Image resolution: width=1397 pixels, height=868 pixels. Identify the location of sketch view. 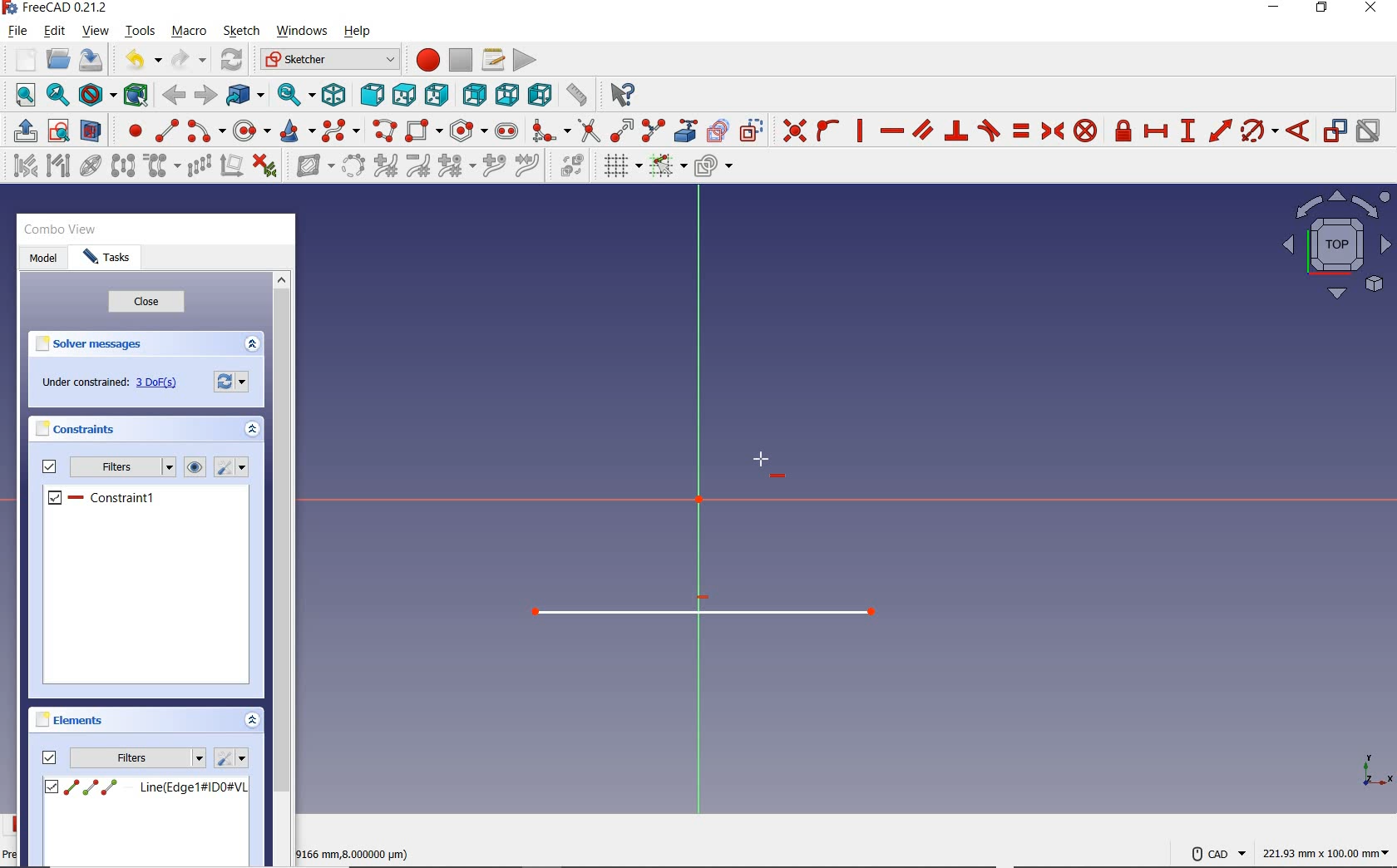
(1334, 246).